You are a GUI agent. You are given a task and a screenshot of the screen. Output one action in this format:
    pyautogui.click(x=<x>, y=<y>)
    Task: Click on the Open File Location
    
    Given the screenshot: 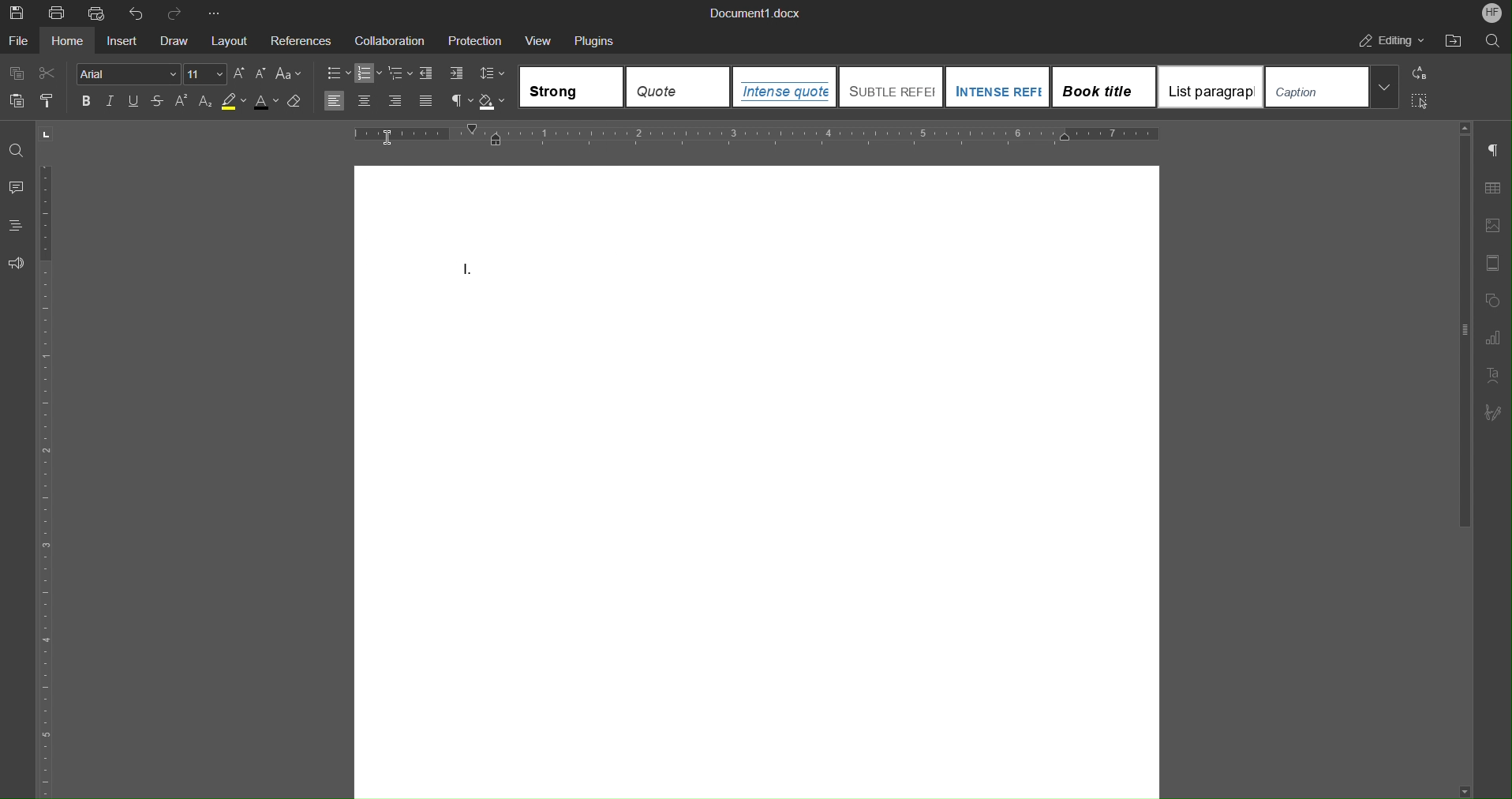 What is the action you would take?
    pyautogui.click(x=1451, y=42)
    